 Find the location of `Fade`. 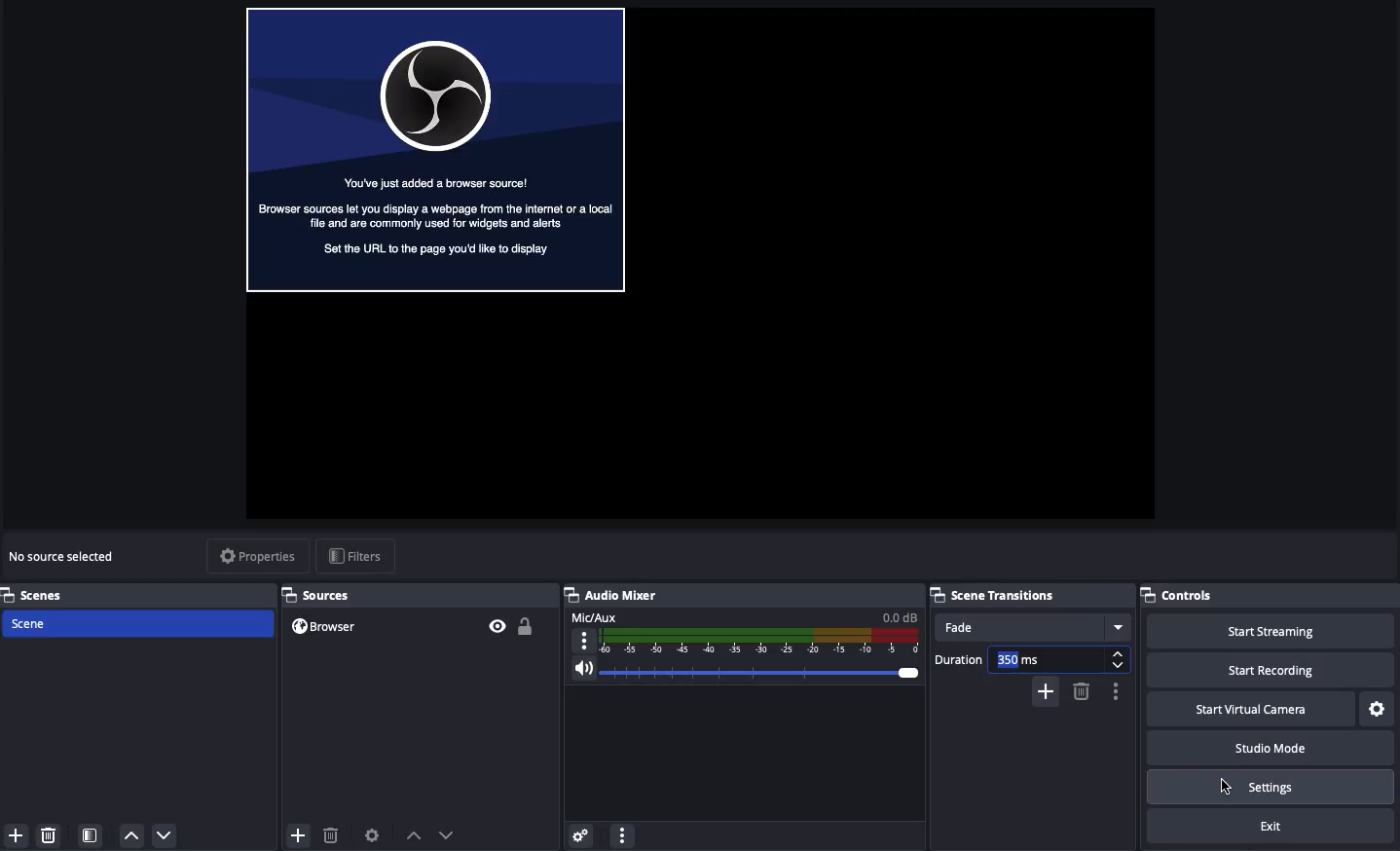

Fade is located at coordinates (1031, 626).